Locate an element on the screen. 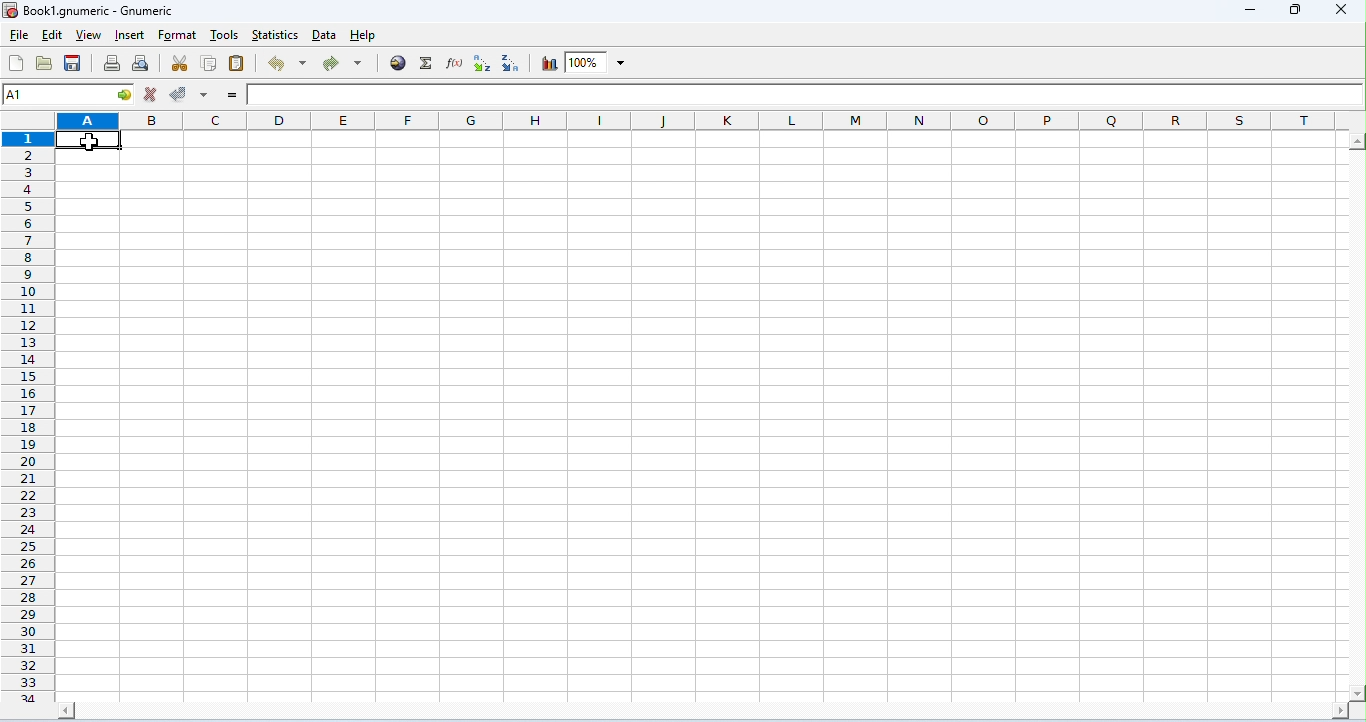  redo is located at coordinates (342, 65).